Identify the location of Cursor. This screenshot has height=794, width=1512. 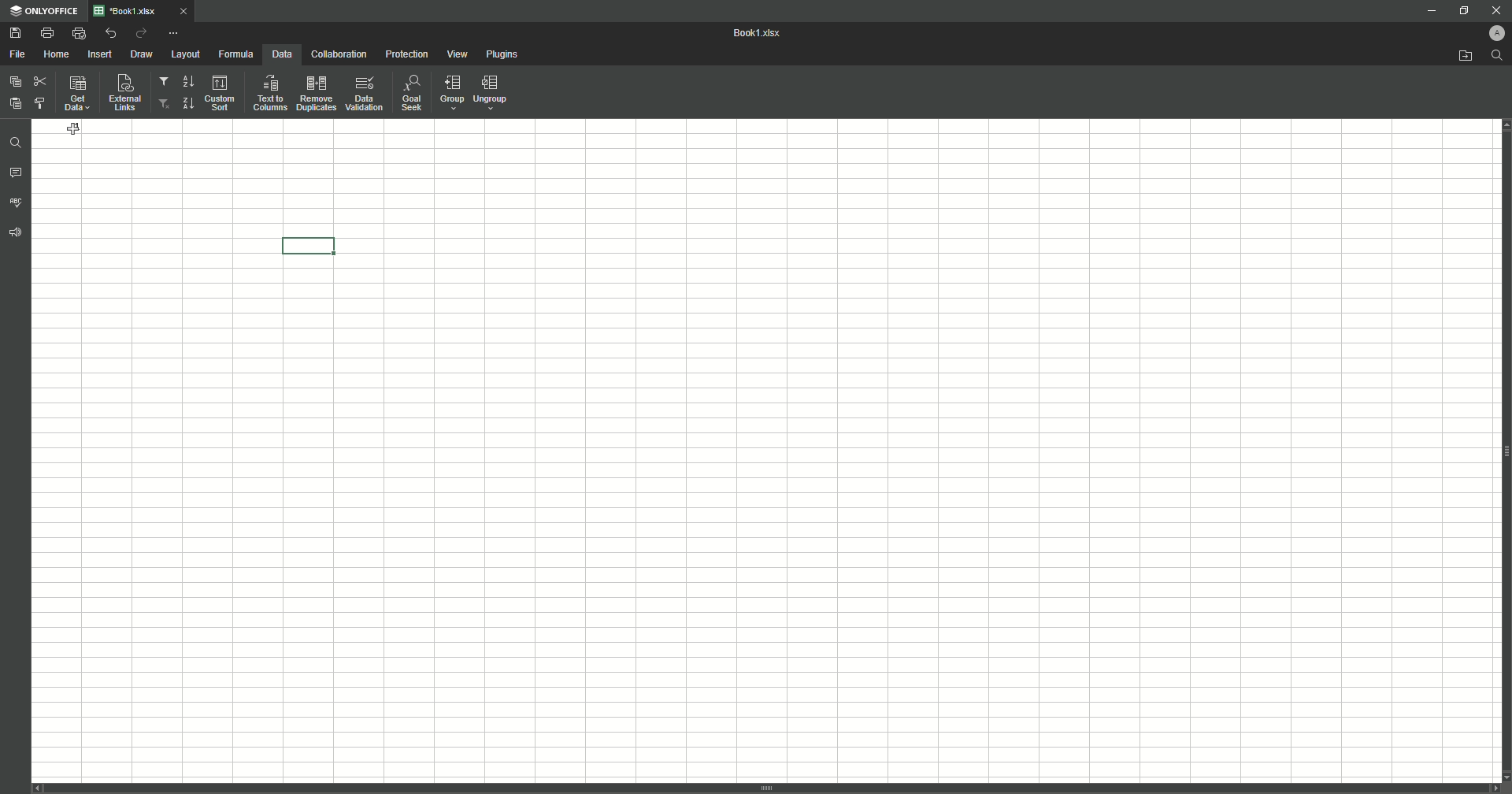
(73, 131).